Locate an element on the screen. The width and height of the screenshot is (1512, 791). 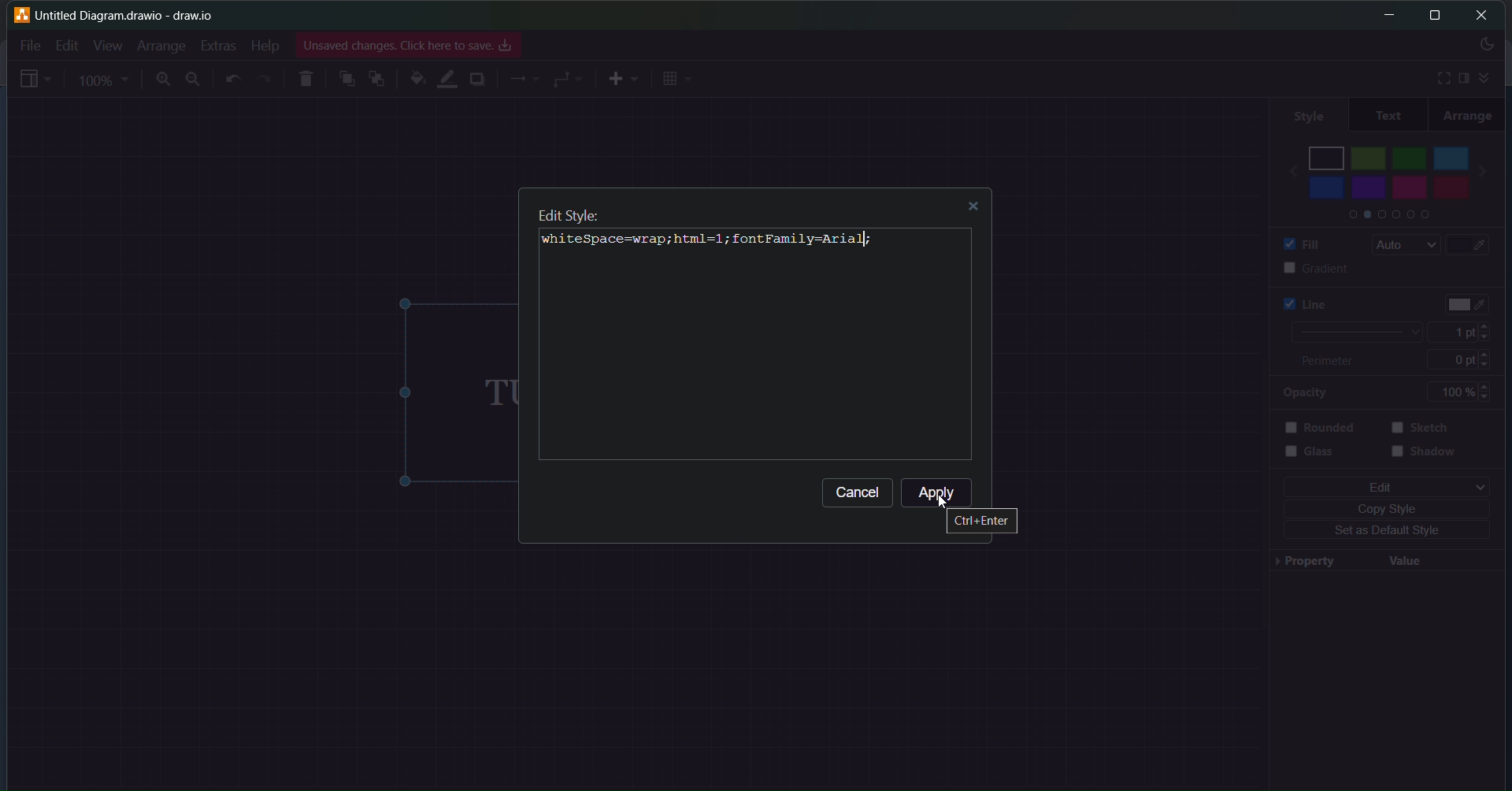
minimize is located at coordinates (1384, 15).